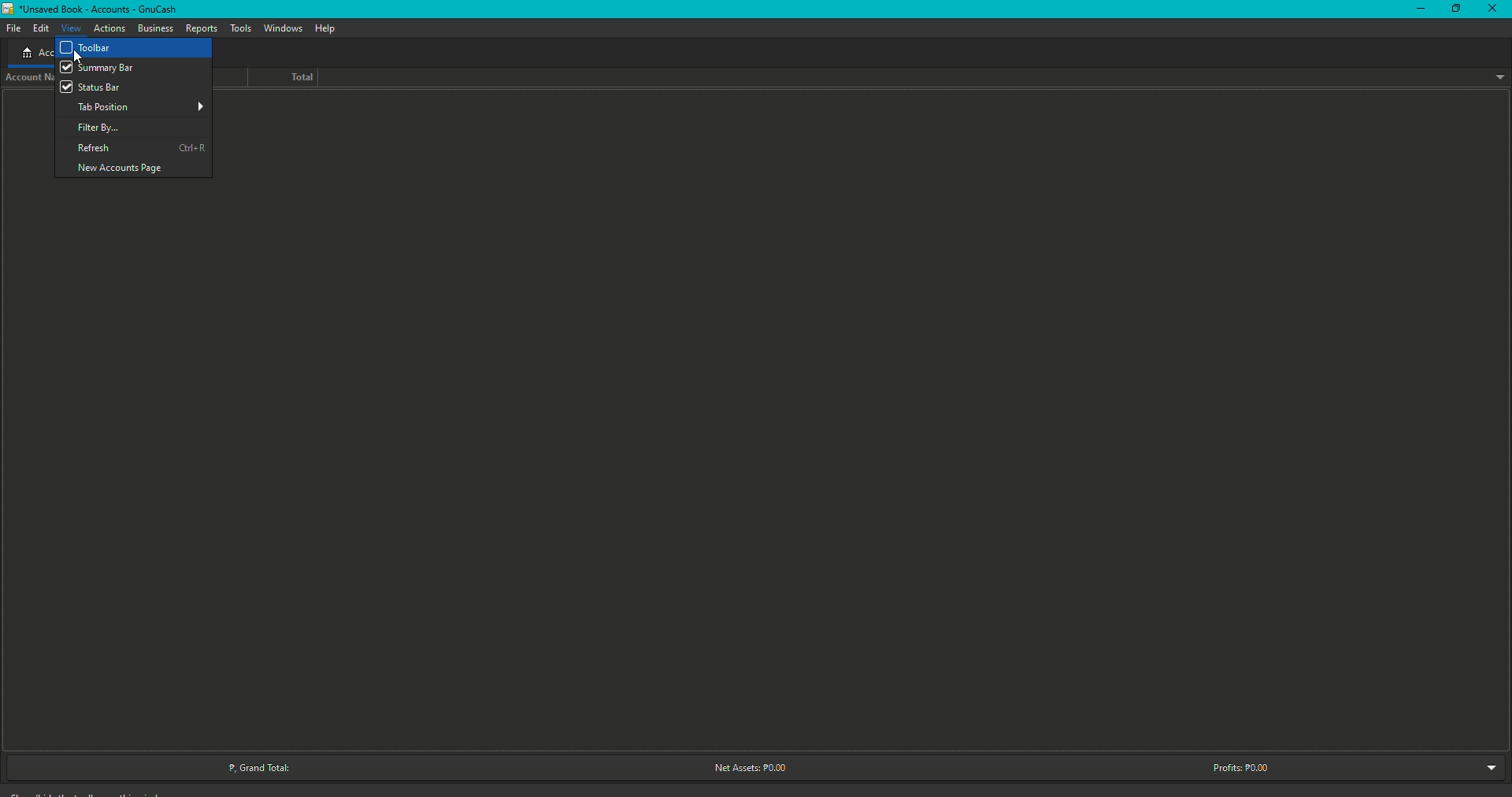 This screenshot has height=797, width=1512. Describe the element at coordinates (241, 26) in the screenshot. I see `Tools` at that location.